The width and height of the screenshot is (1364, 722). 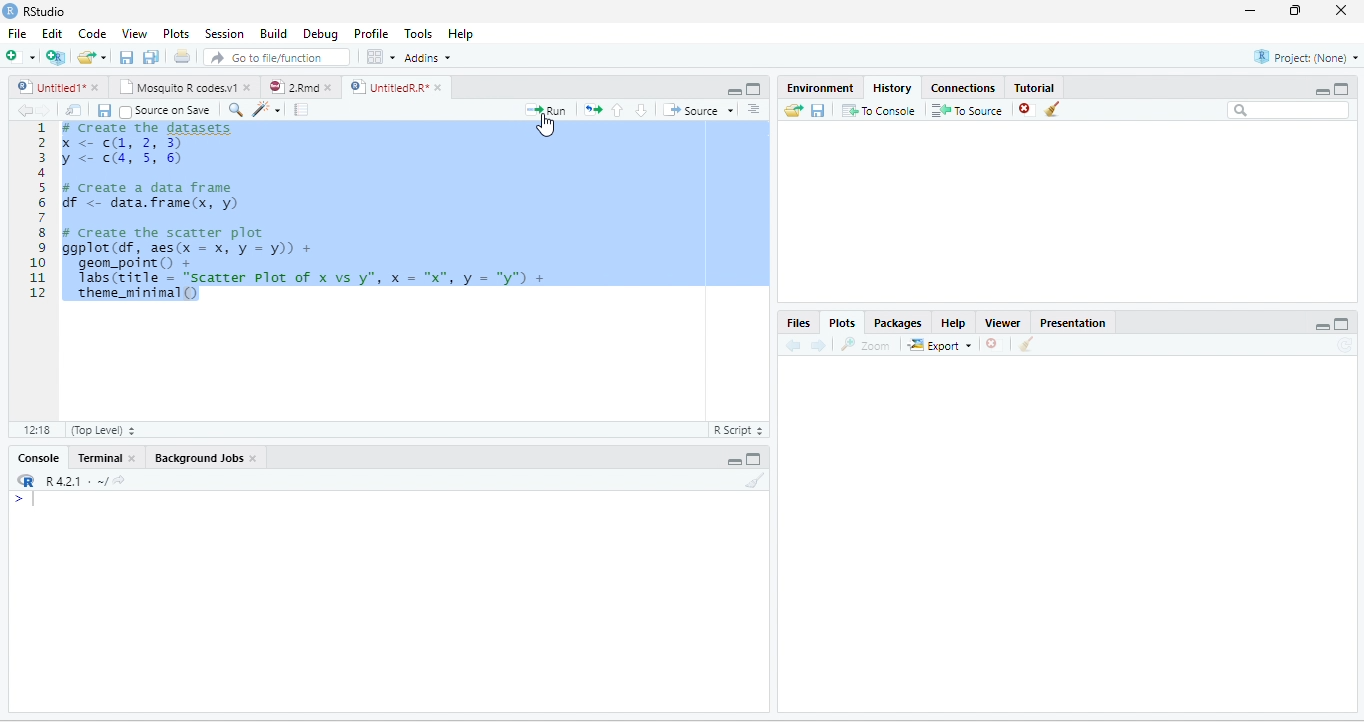 I want to click on Plots, so click(x=176, y=33).